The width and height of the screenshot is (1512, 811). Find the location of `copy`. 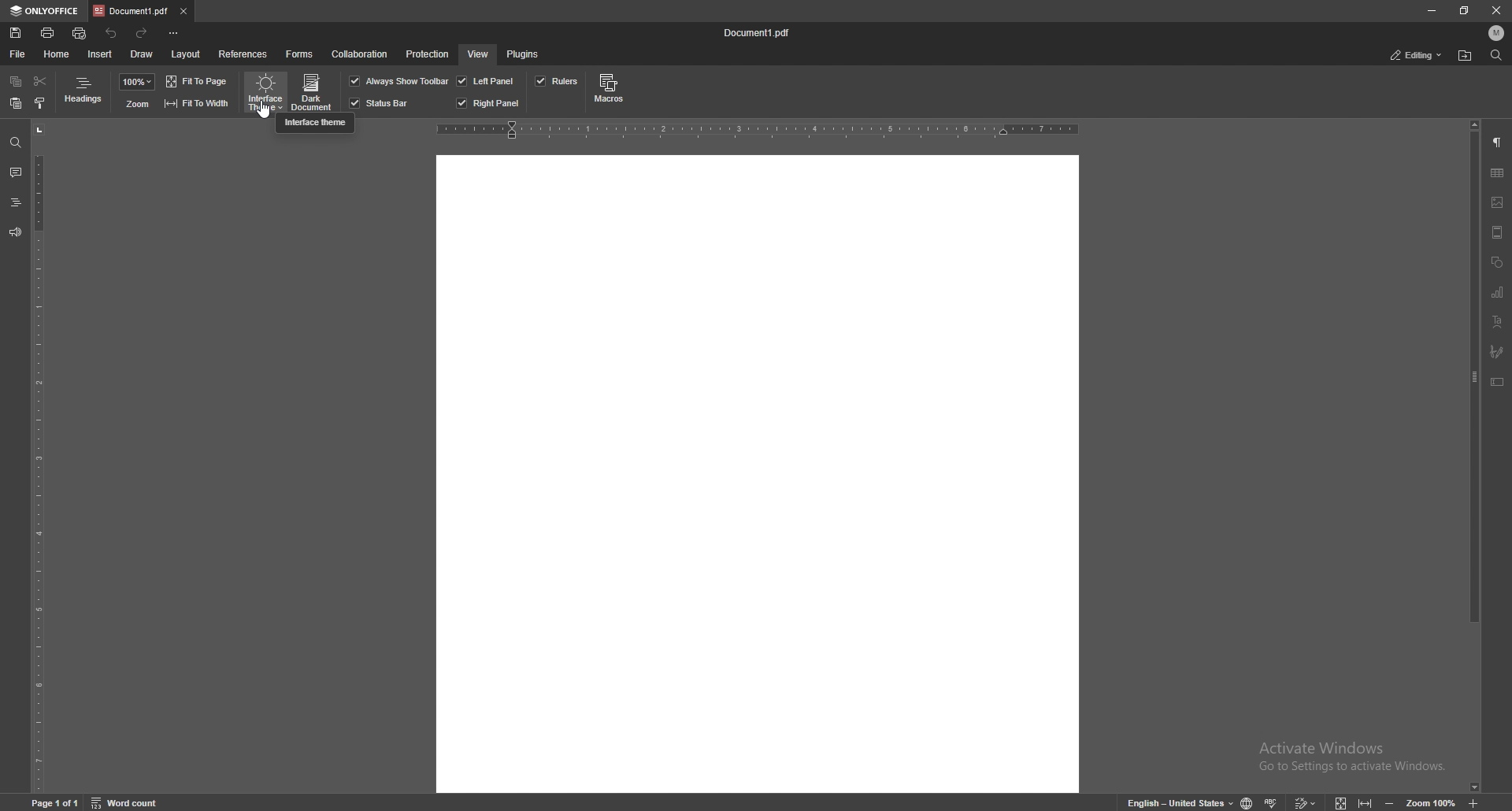

copy is located at coordinates (16, 82).